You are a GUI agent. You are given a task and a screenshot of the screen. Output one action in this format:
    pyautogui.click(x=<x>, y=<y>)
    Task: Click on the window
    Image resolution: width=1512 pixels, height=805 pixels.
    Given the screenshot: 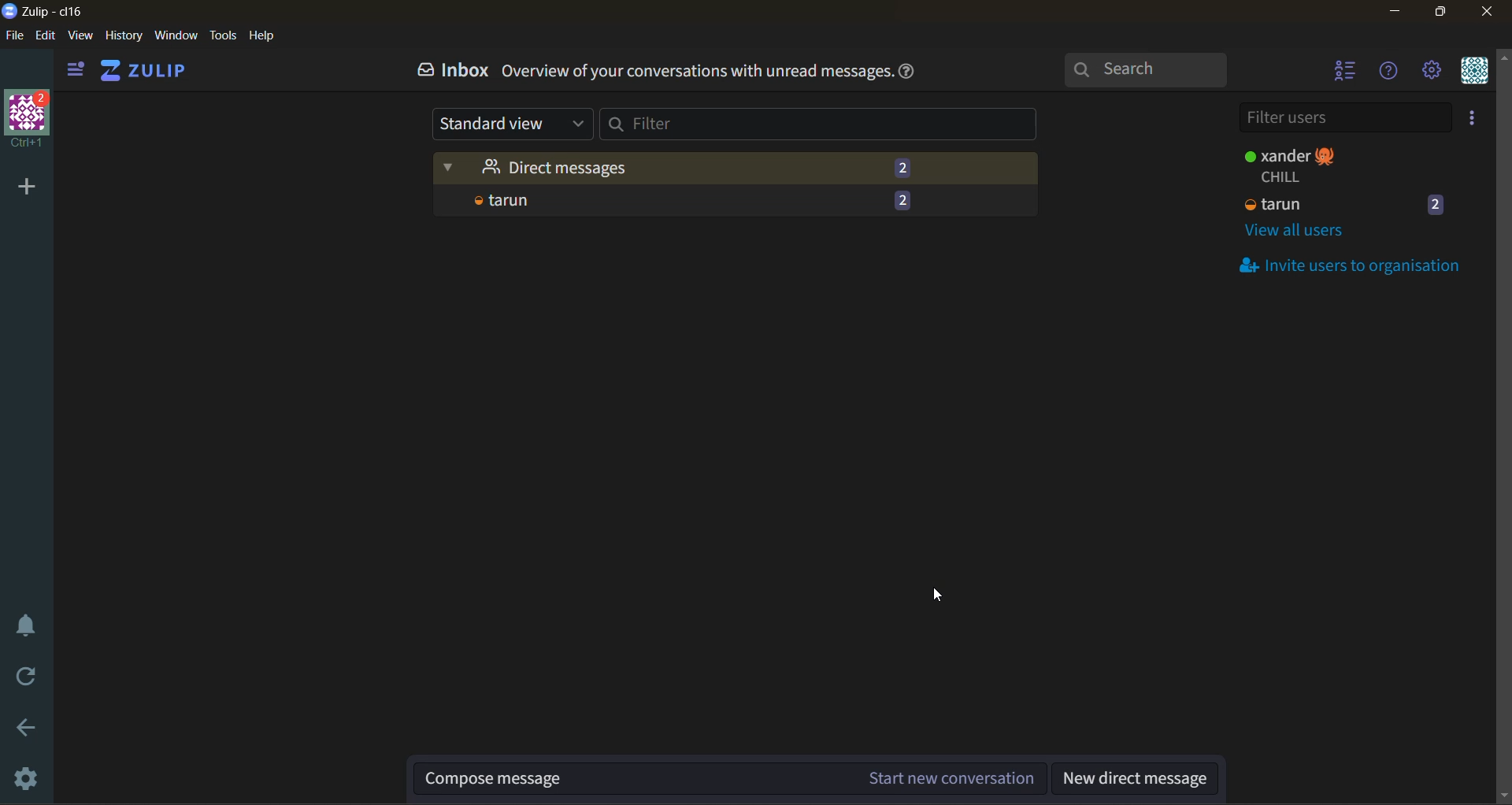 What is the action you would take?
    pyautogui.click(x=178, y=37)
    